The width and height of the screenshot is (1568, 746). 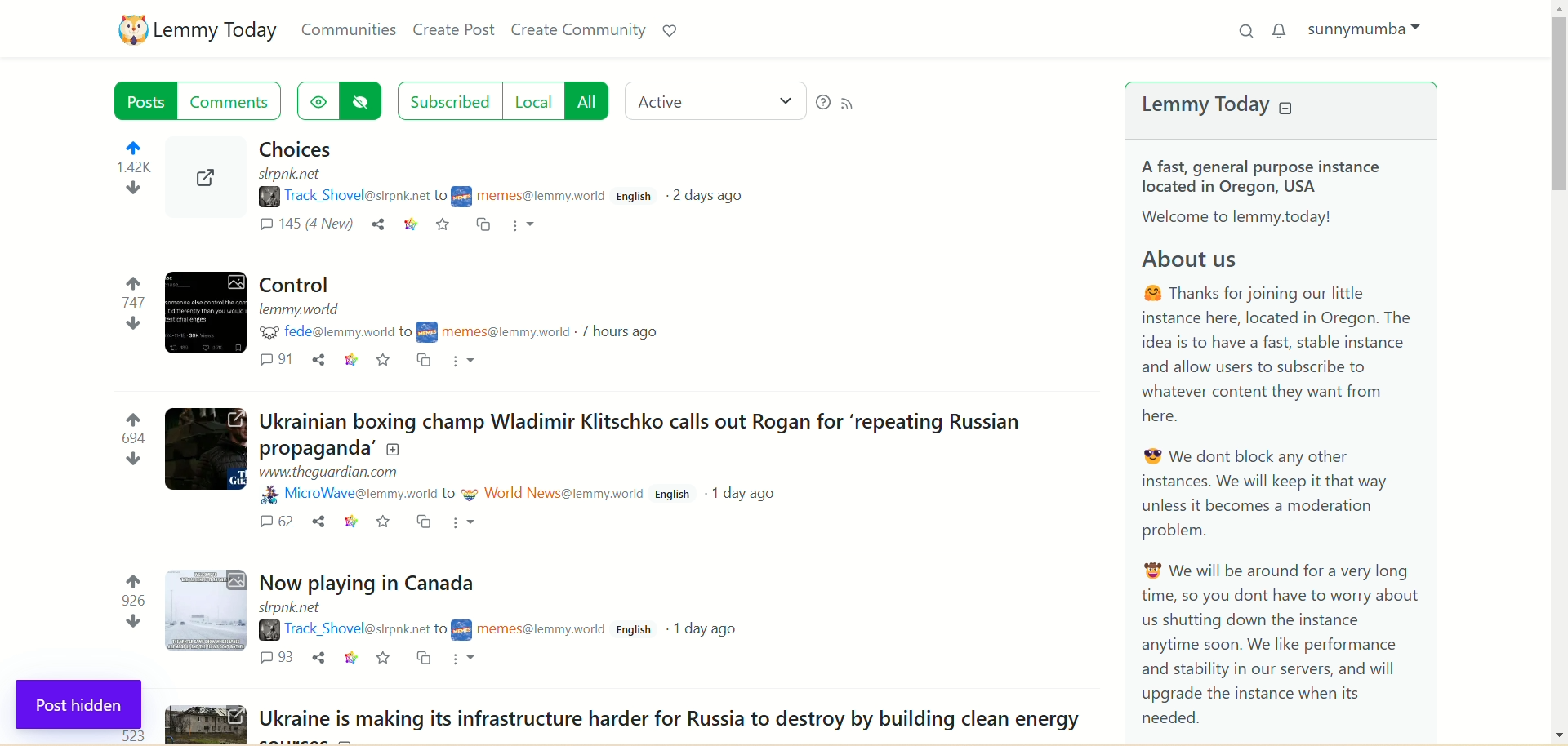 I want to click on Post on "Ukraine is making its infrastructure harder for Russia to destroy by building clean energy", so click(x=670, y=720).